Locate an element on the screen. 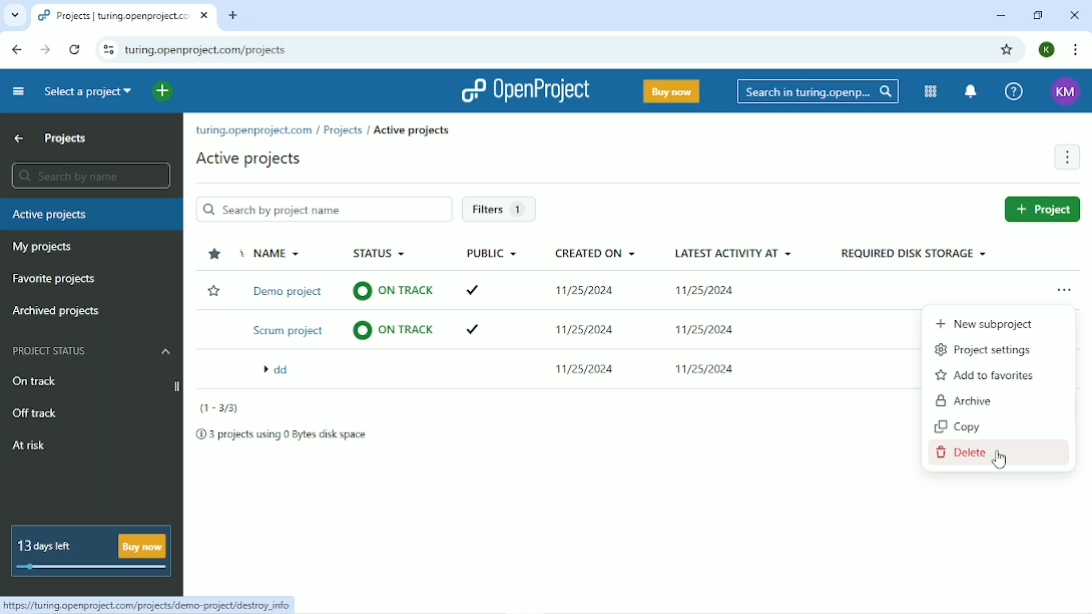 The image size is (1092, 614). cursor is located at coordinates (1001, 466).